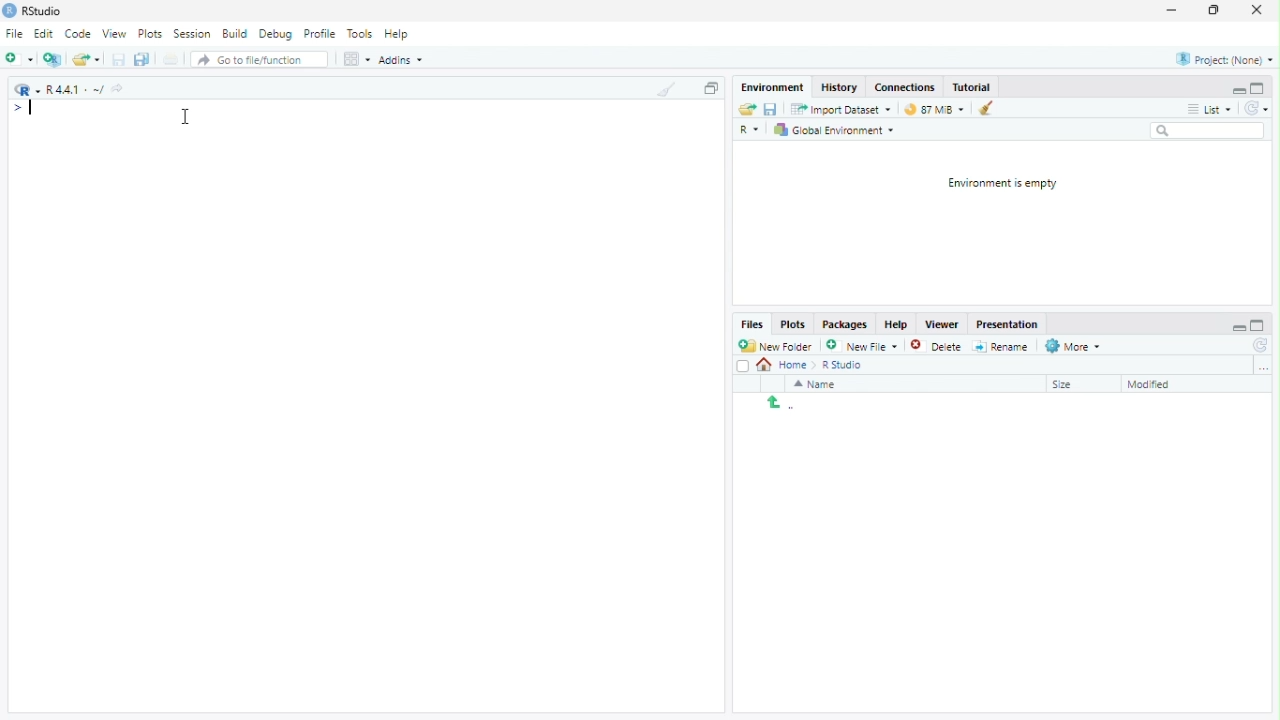 The image size is (1280, 720). Describe the element at coordinates (665, 88) in the screenshot. I see `Clean` at that location.